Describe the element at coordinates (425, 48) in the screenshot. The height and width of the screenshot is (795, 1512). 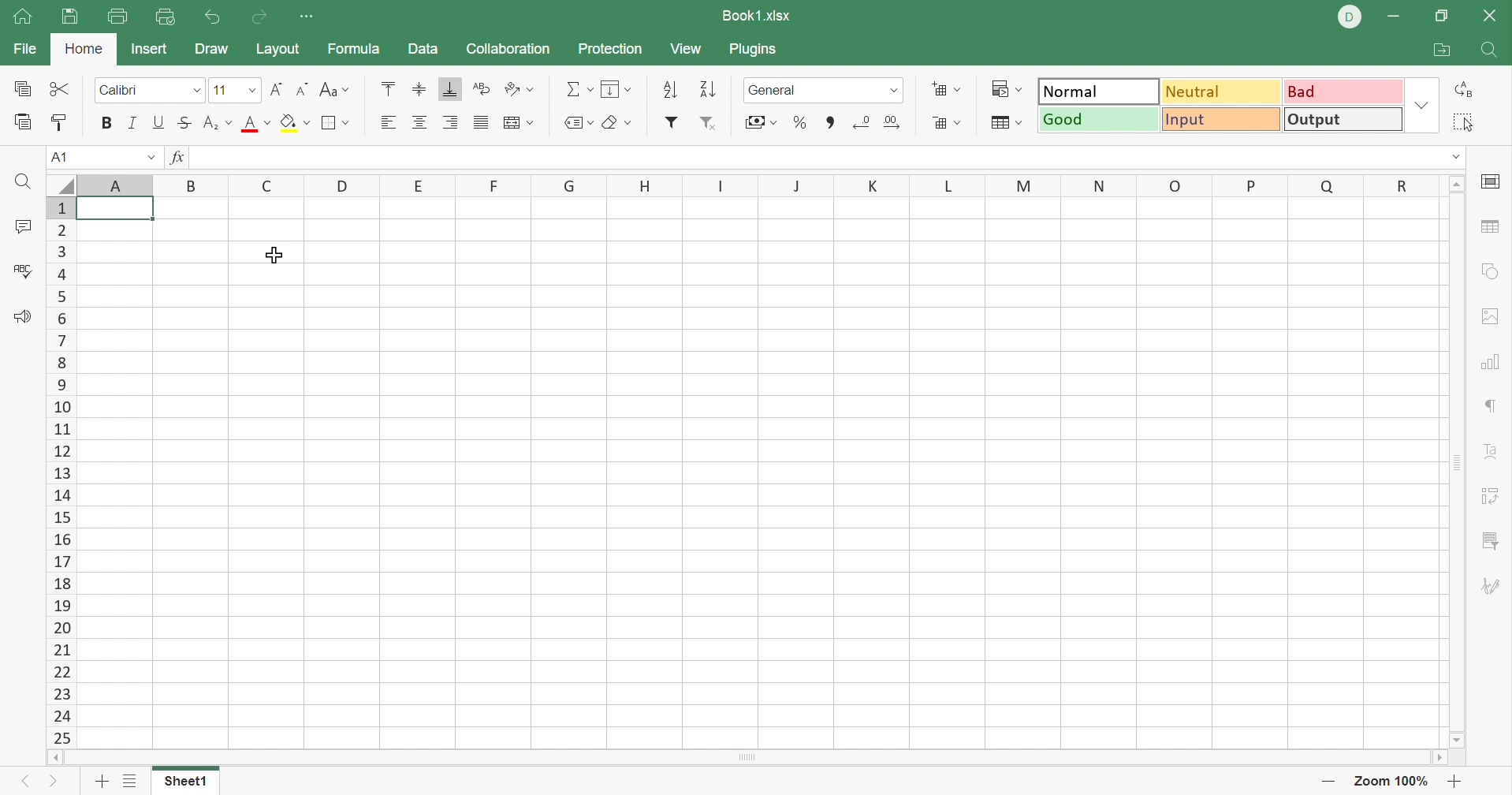
I see `Data` at that location.